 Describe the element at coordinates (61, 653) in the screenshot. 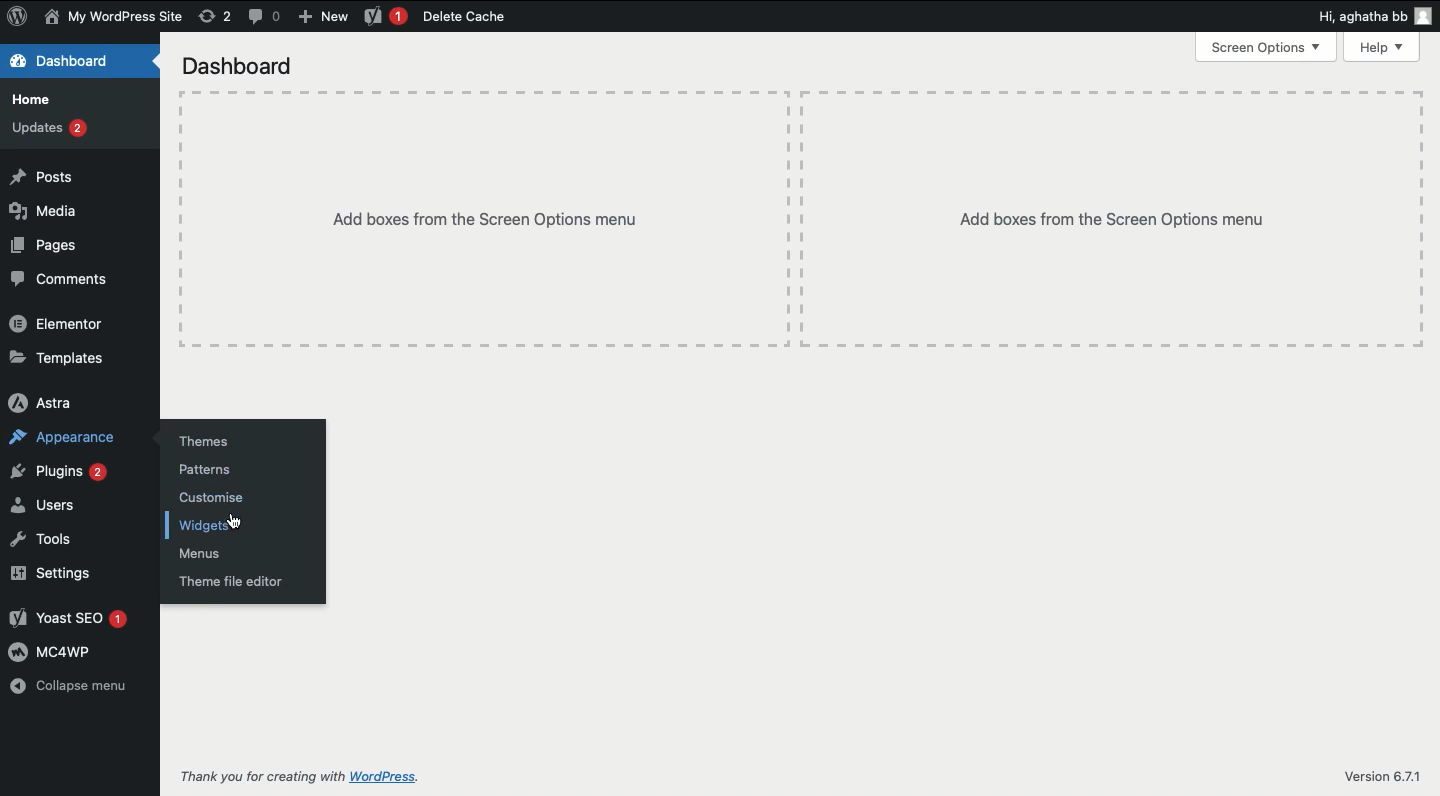

I see `MC4wp` at that location.